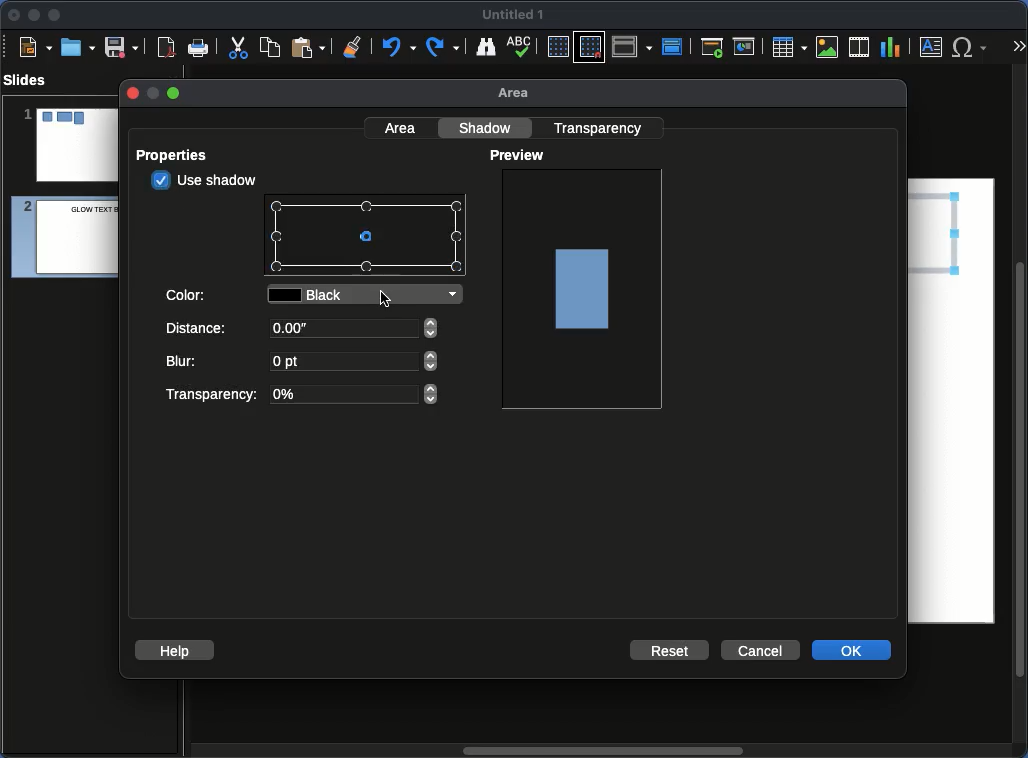 The image size is (1028, 758). What do you see at coordinates (1018, 48) in the screenshot?
I see `More` at bounding box center [1018, 48].